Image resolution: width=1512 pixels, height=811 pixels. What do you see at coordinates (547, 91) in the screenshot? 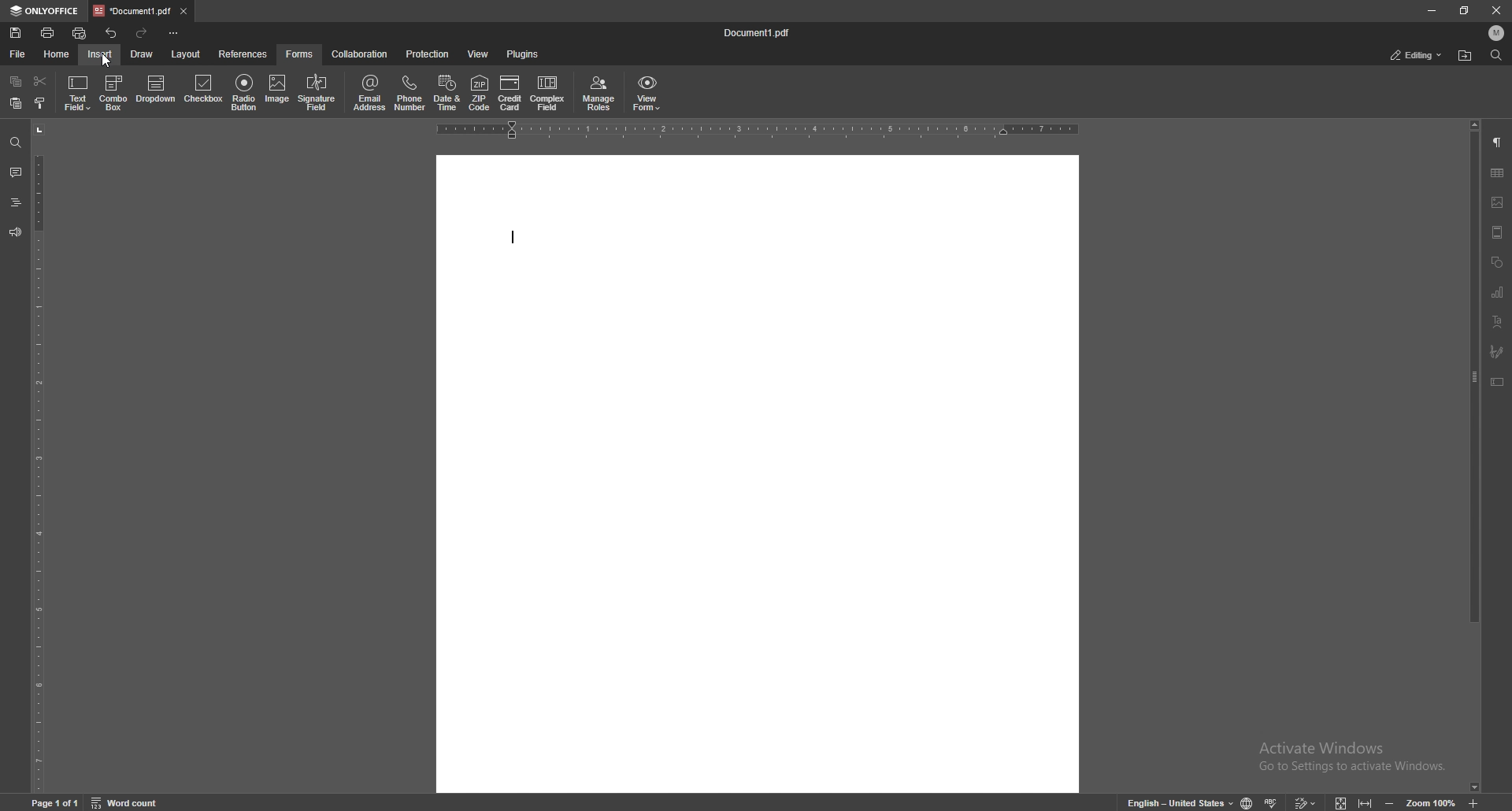
I see `complex field` at bounding box center [547, 91].